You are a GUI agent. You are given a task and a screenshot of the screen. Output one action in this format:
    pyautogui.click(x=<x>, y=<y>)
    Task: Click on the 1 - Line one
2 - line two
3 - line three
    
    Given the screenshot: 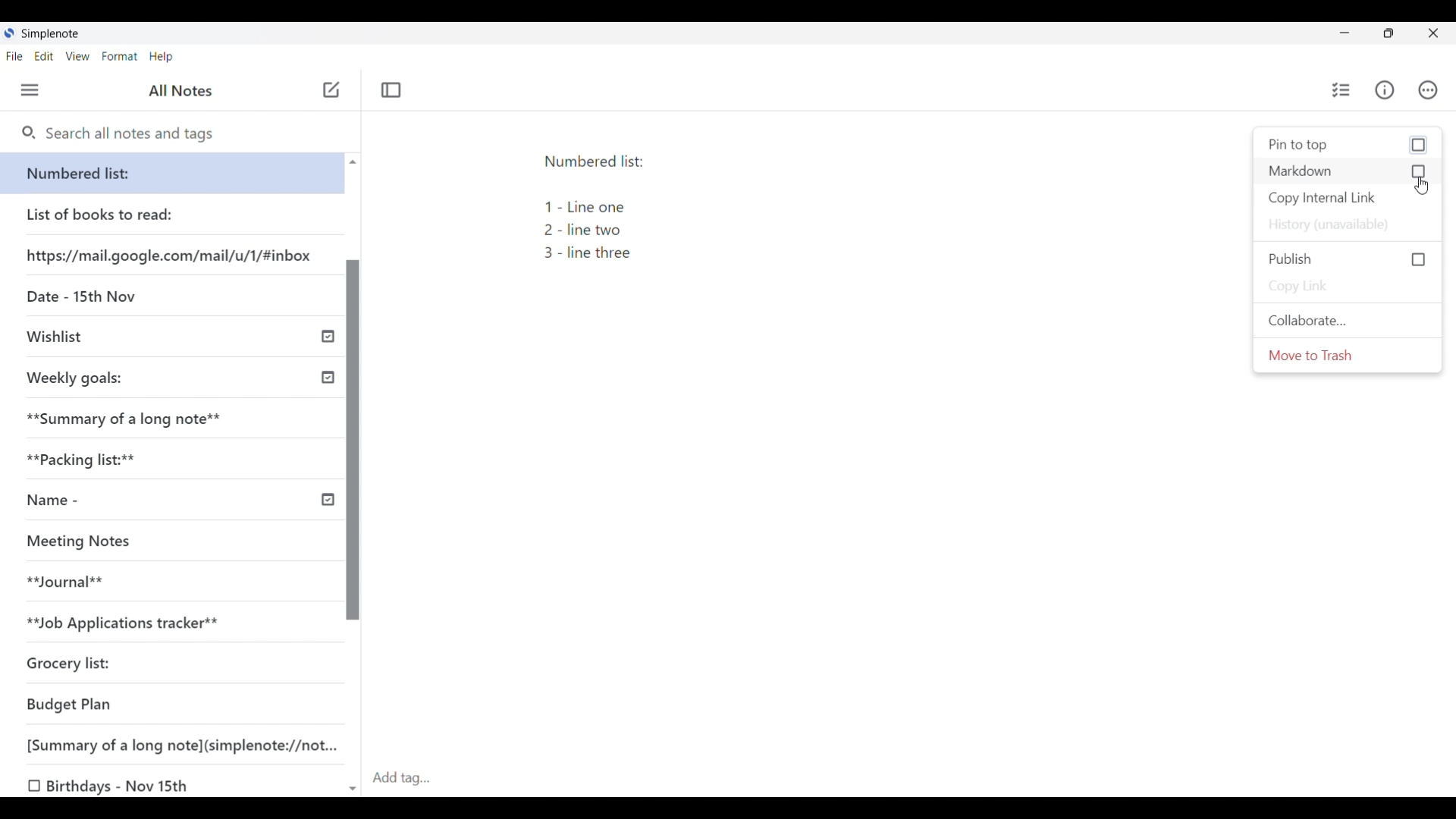 What is the action you would take?
    pyautogui.click(x=592, y=237)
    